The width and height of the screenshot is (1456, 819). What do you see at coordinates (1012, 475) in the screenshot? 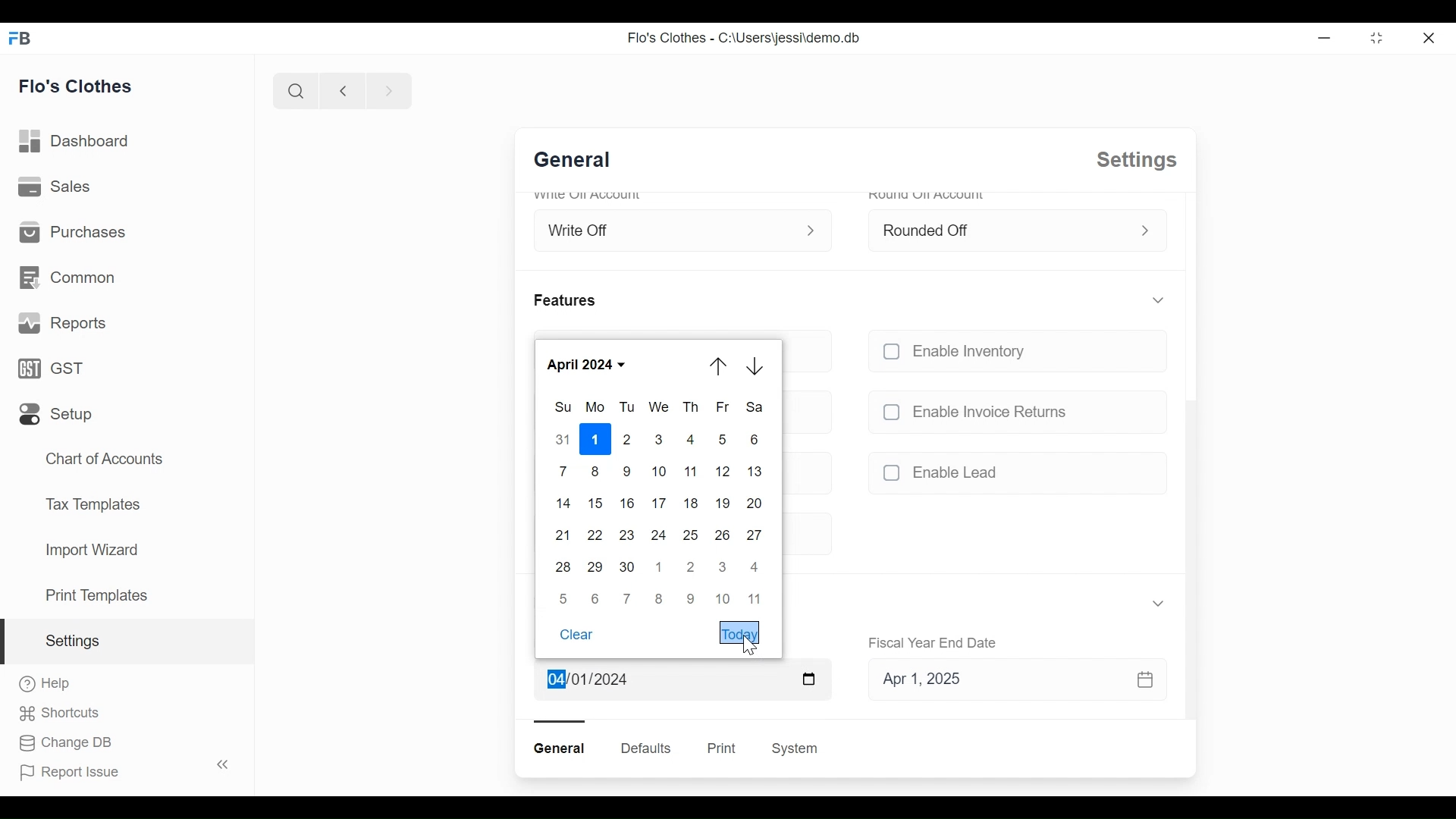
I see `unchecked Enable Lead` at bounding box center [1012, 475].